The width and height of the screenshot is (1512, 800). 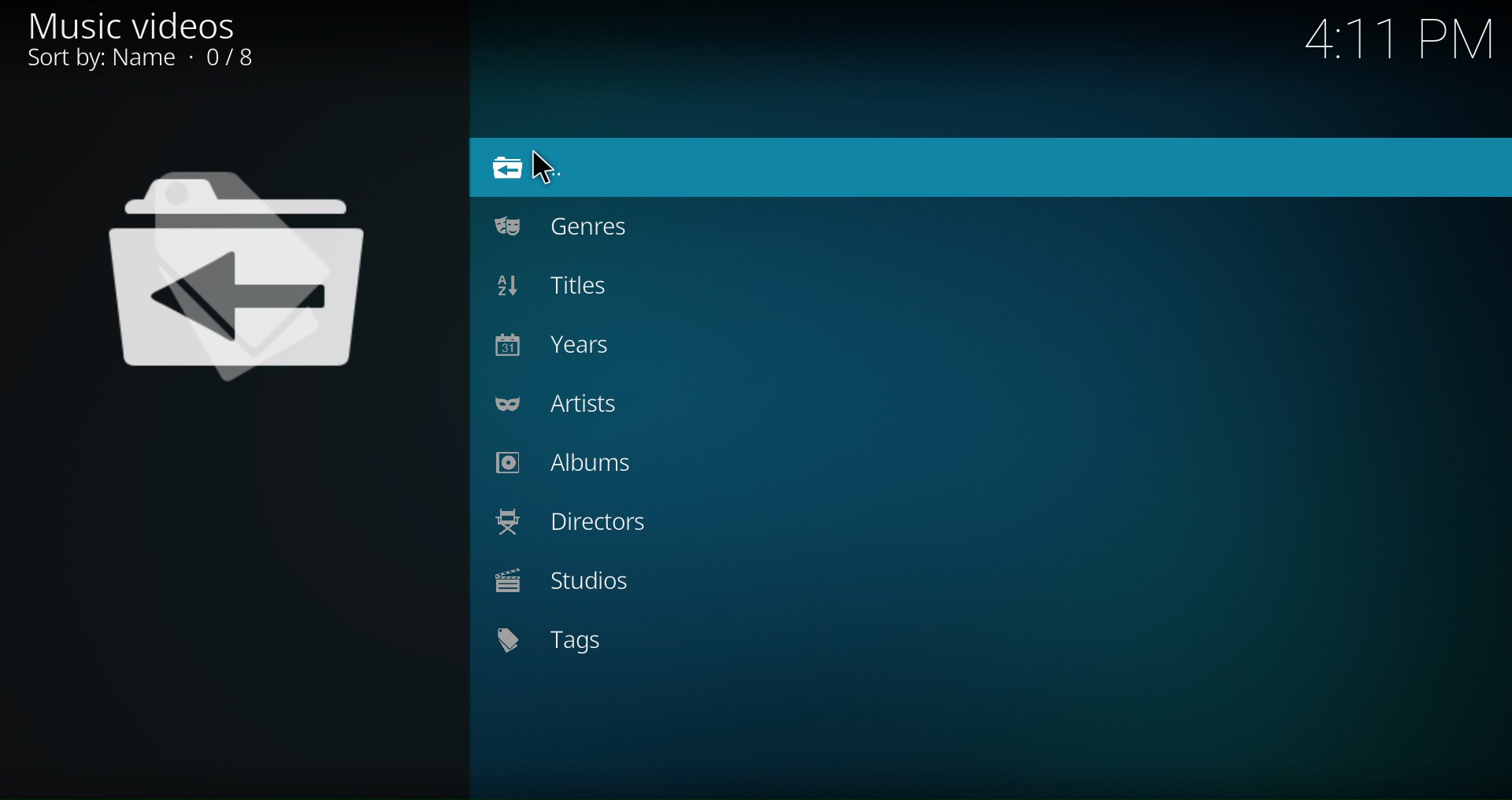 What do you see at coordinates (603, 344) in the screenshot?
I see `Years` at bounding box center [603, 344].